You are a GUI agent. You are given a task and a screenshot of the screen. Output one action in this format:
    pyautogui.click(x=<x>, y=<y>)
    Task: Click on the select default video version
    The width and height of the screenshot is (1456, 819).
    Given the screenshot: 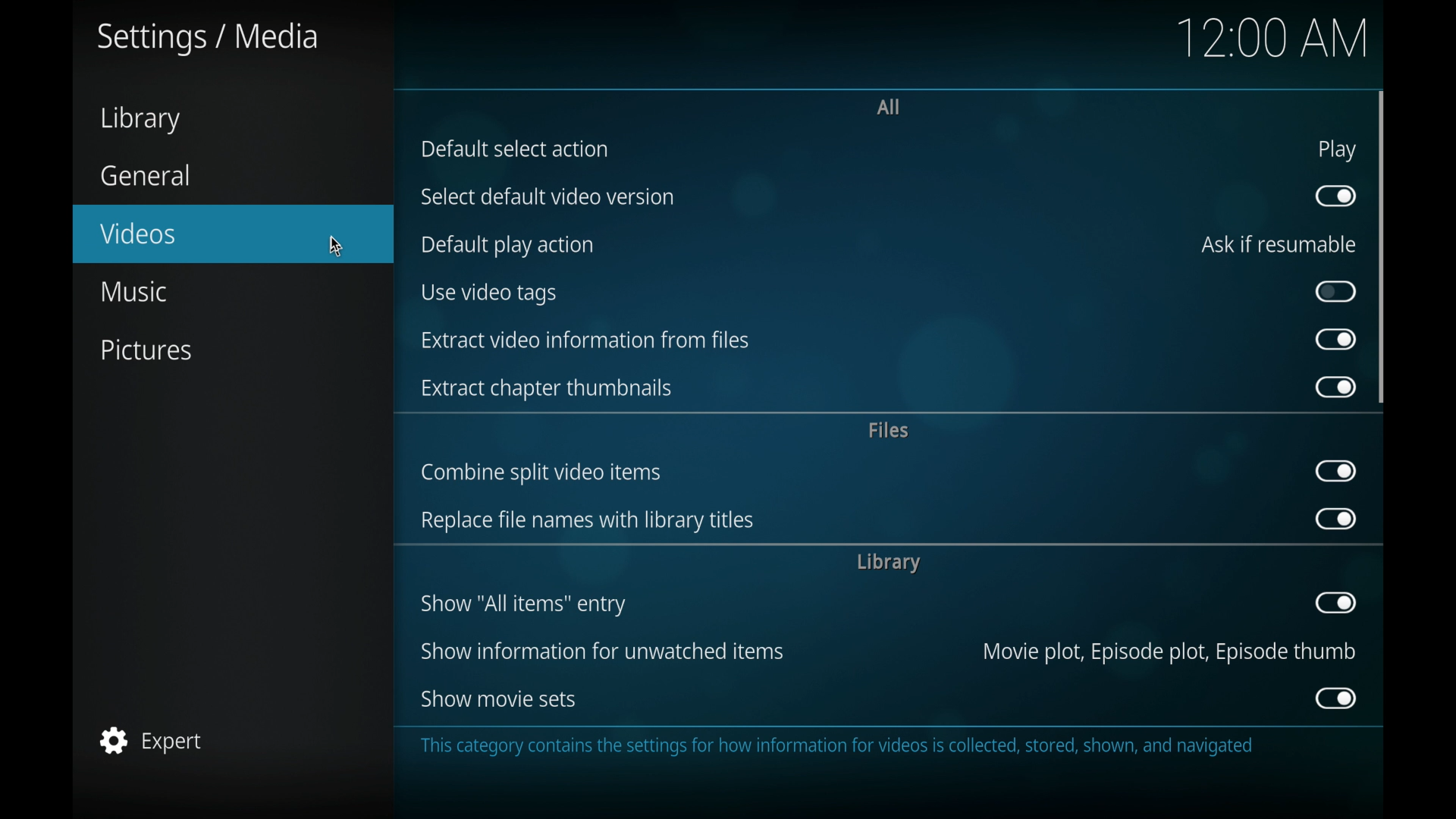 What is the action you would take?
    pyautogui.click(x=548, y=196)
    